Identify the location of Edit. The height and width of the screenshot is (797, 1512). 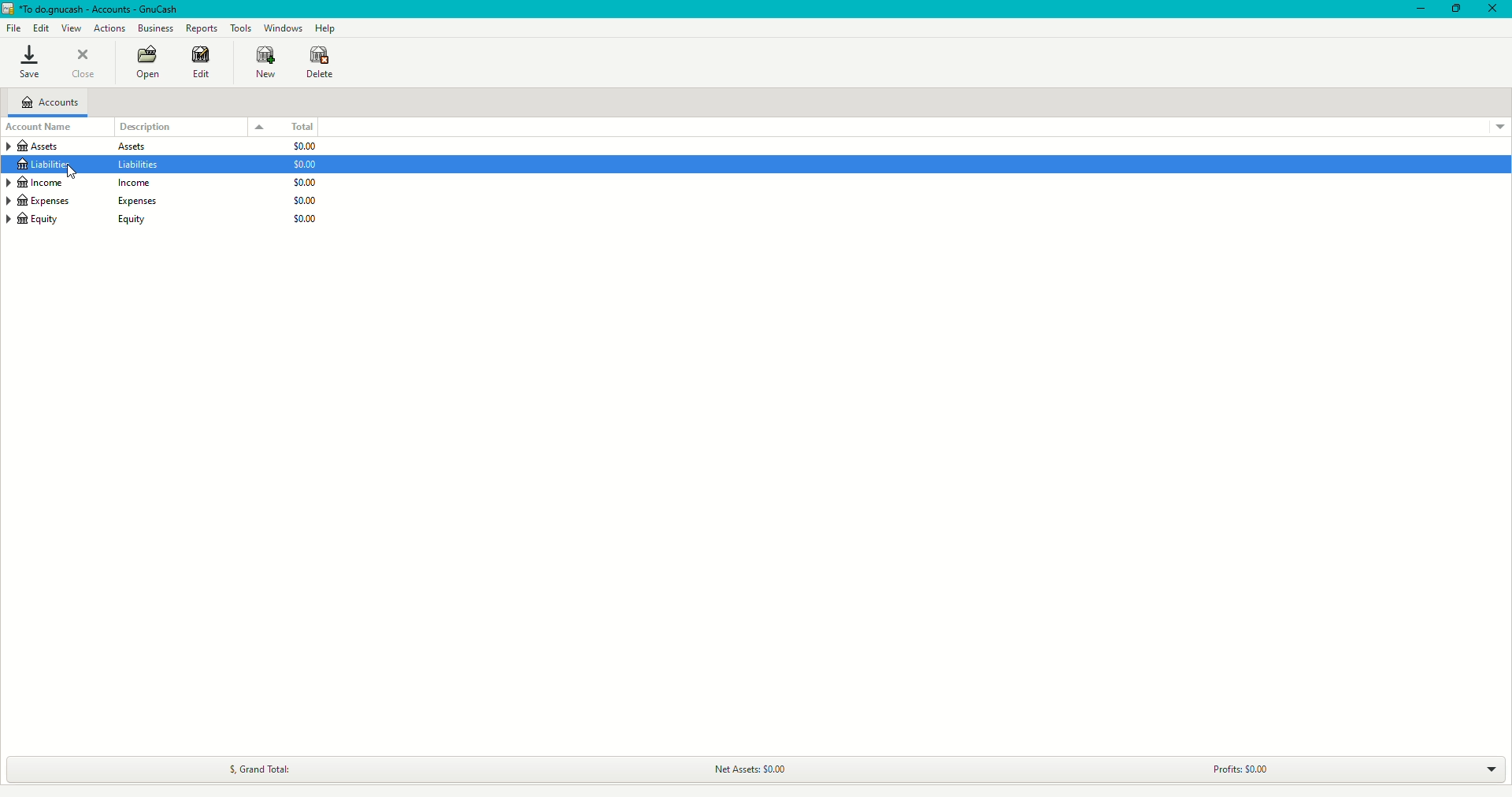
(200, 66).